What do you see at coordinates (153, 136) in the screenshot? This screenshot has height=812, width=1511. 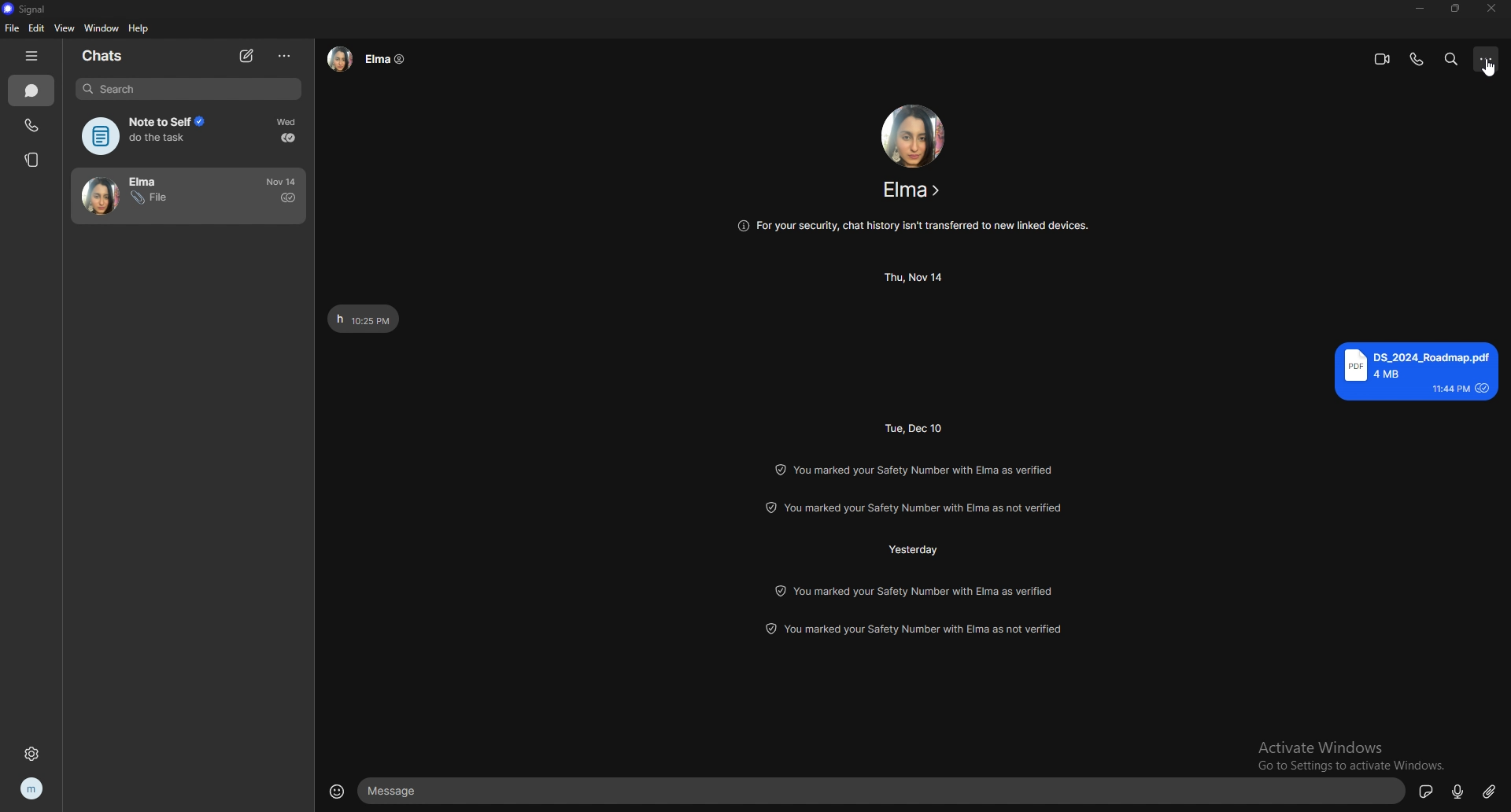 I see `note to self` at bounding box center [153, 136].